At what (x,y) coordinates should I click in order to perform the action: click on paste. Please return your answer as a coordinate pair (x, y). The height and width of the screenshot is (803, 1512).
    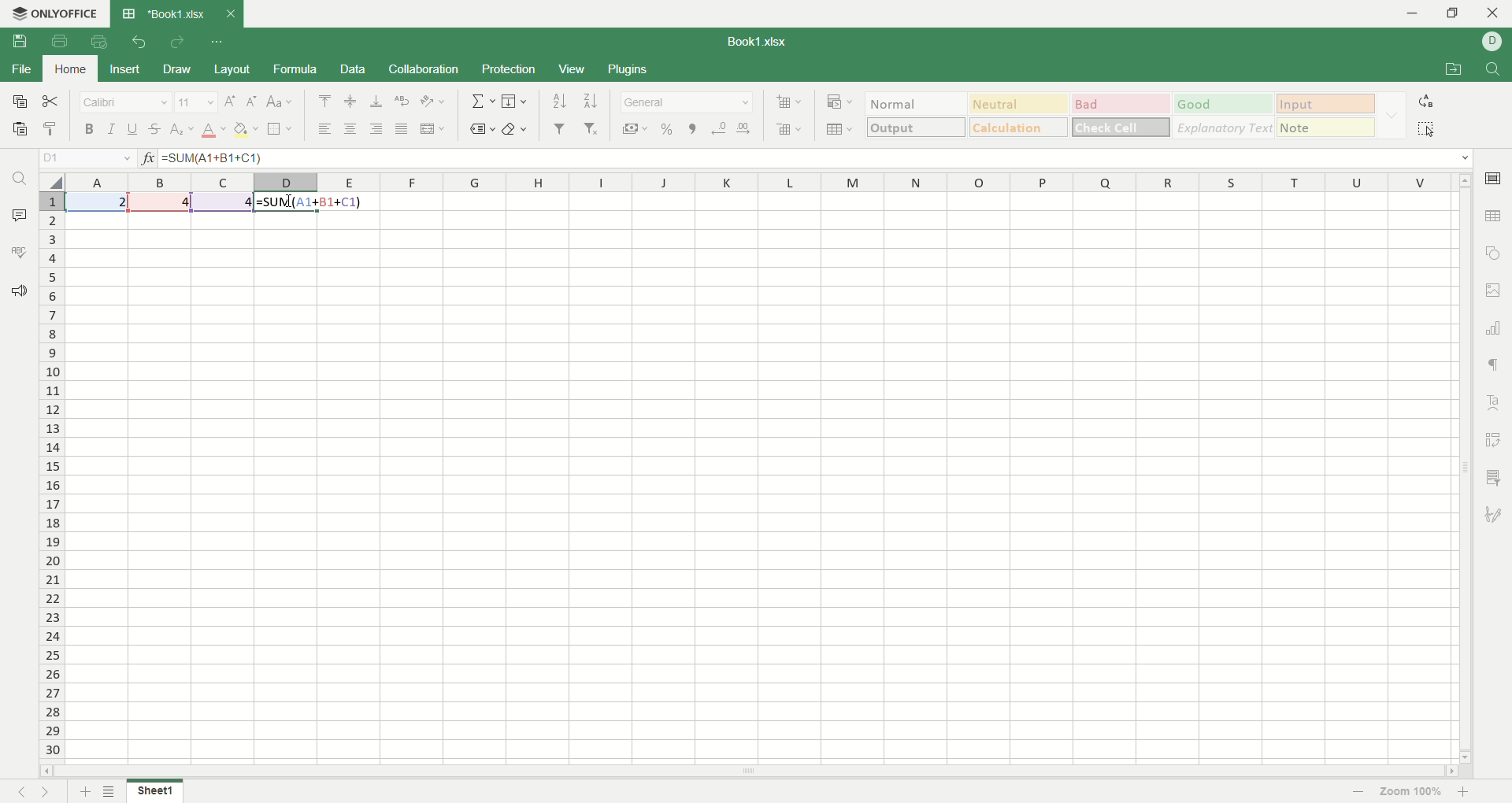
    Looking at the image, I should click on (17, 128).